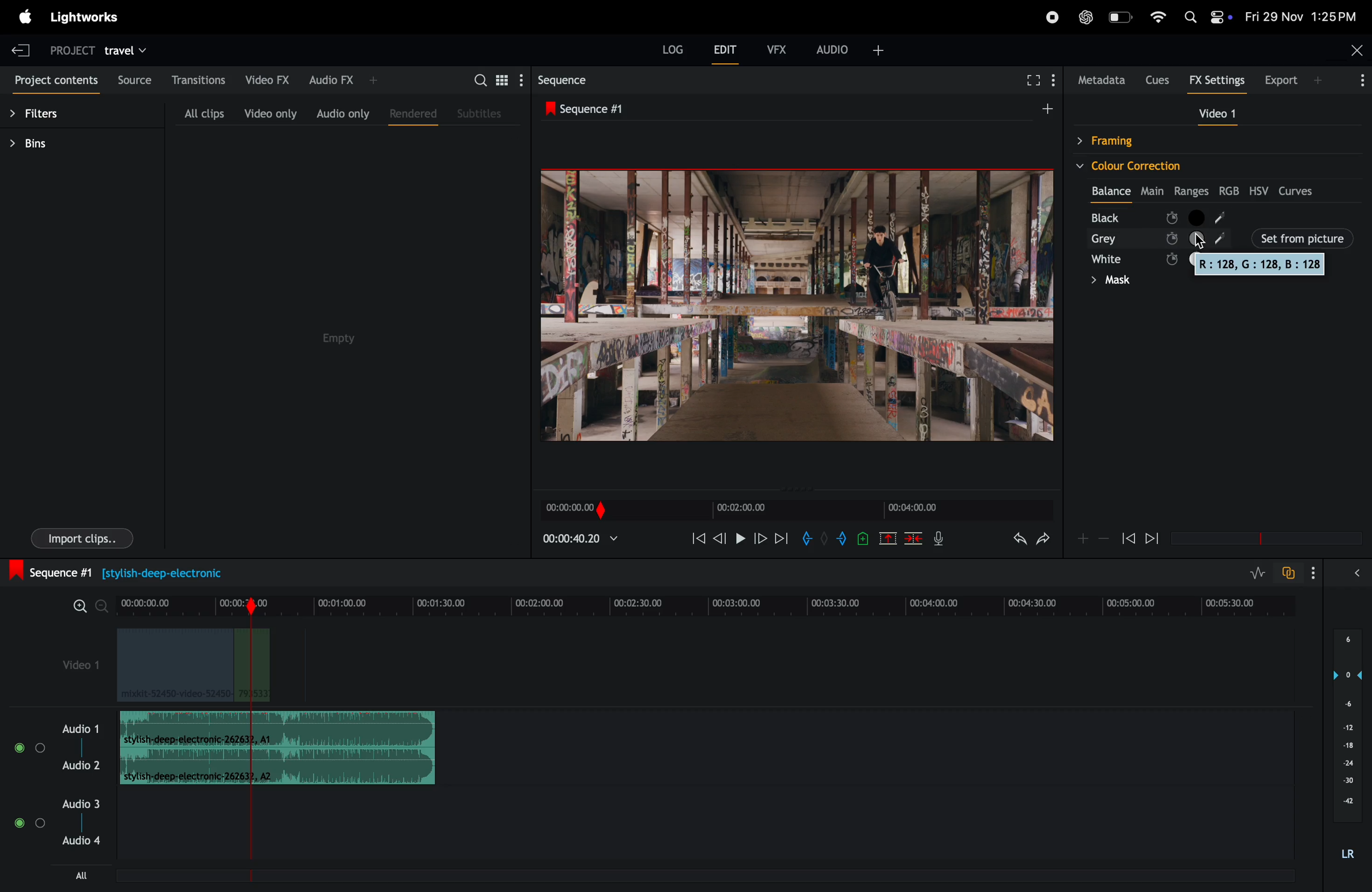 This screenshot has width=1372, height=892. What do you see at coordinates (842, 540) in the screenshot?
I see `add out mark to current position` at bounding box center [842, 540].